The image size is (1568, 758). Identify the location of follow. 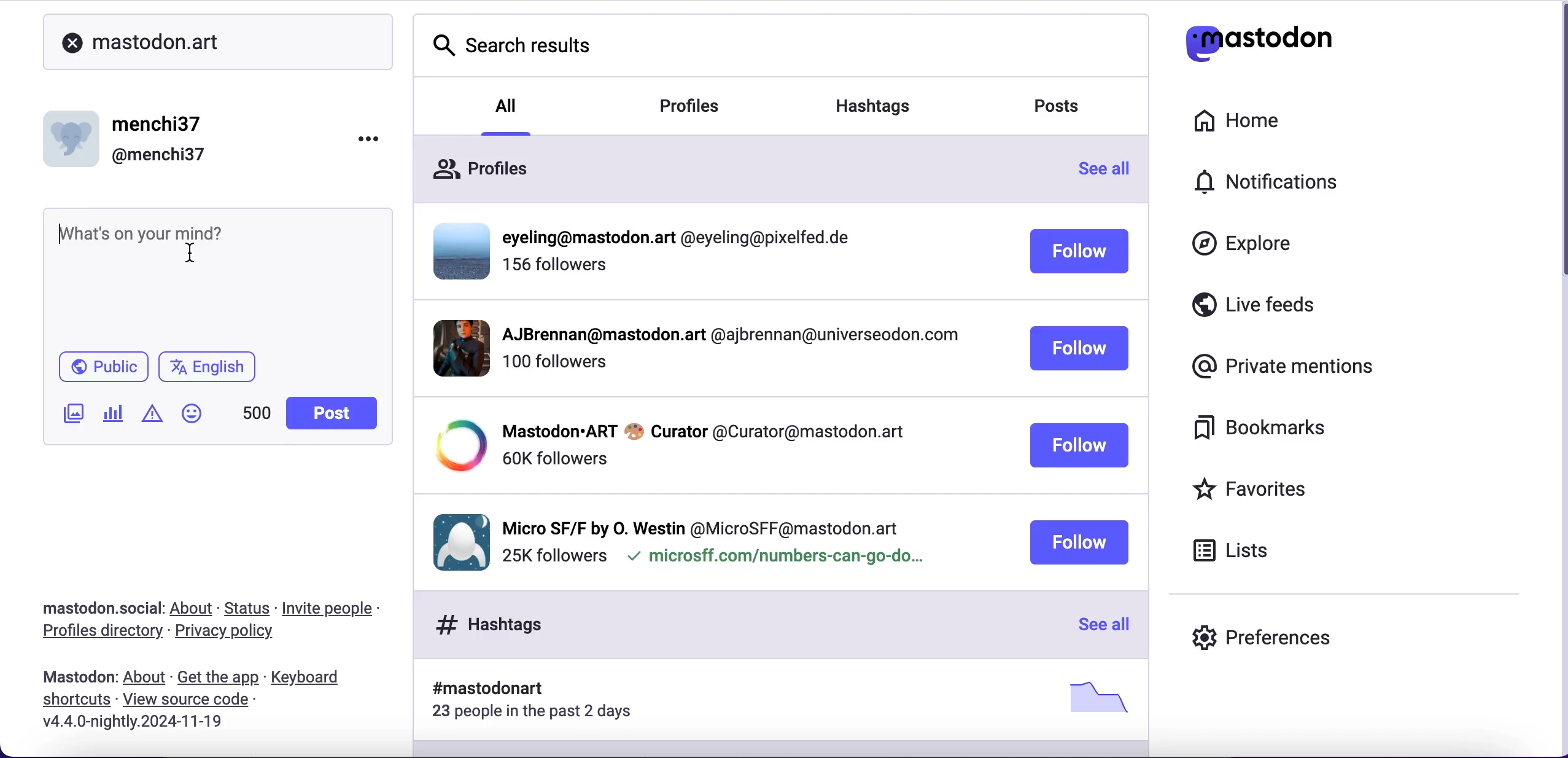
(1082, 445).